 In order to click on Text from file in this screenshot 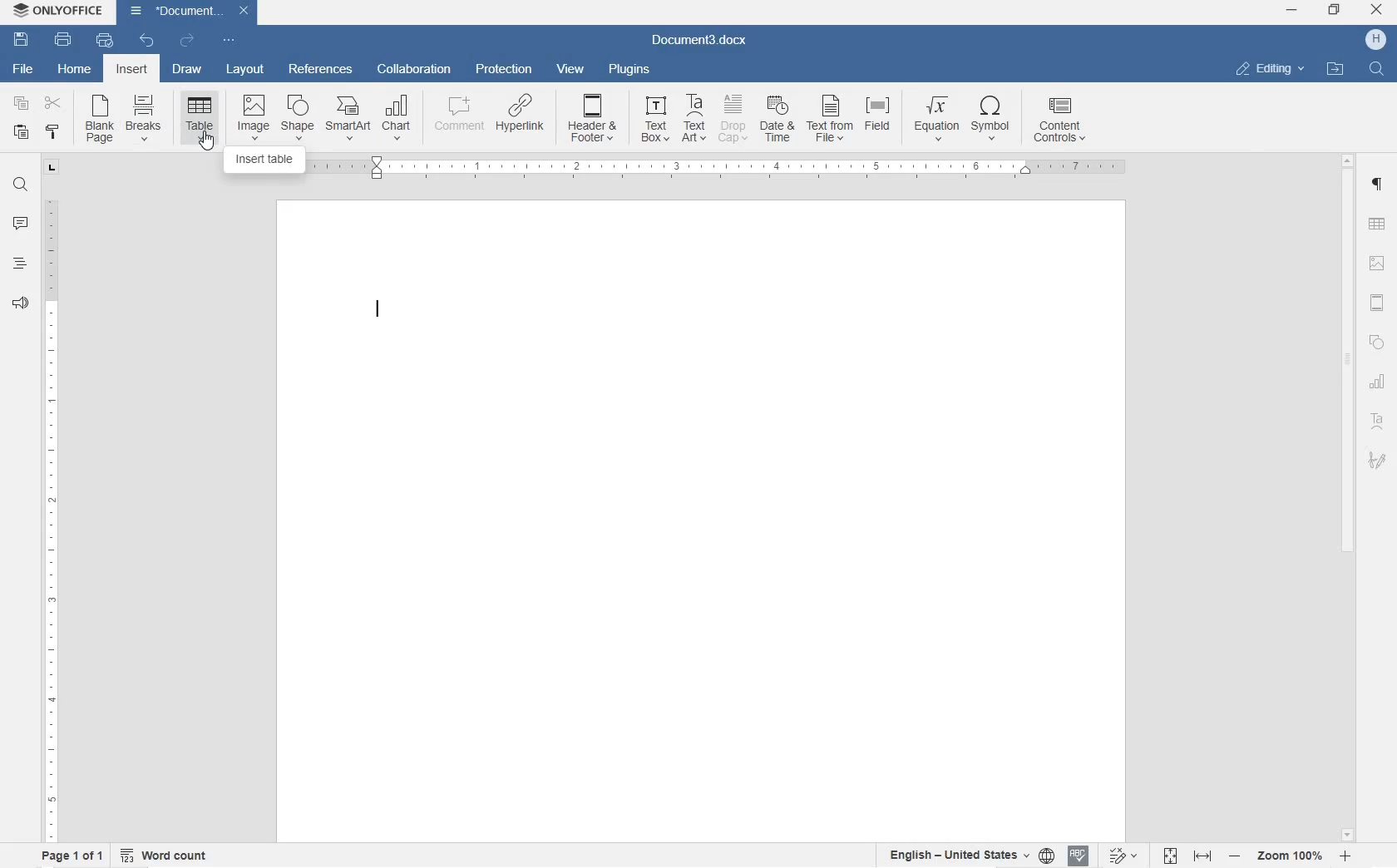, I will do `click(831, 121)`.